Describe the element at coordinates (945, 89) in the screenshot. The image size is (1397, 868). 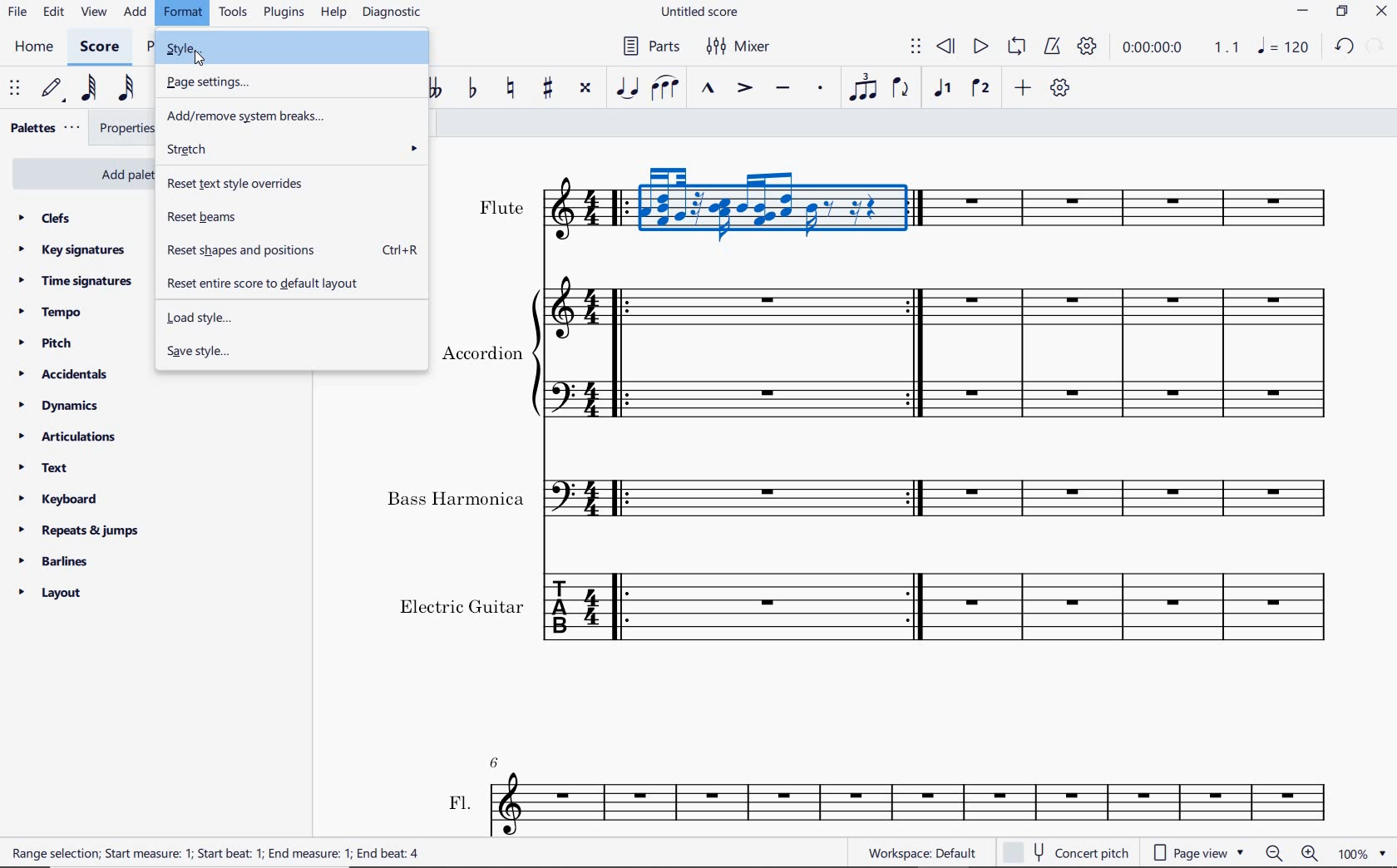
I see `voice1` at that location.